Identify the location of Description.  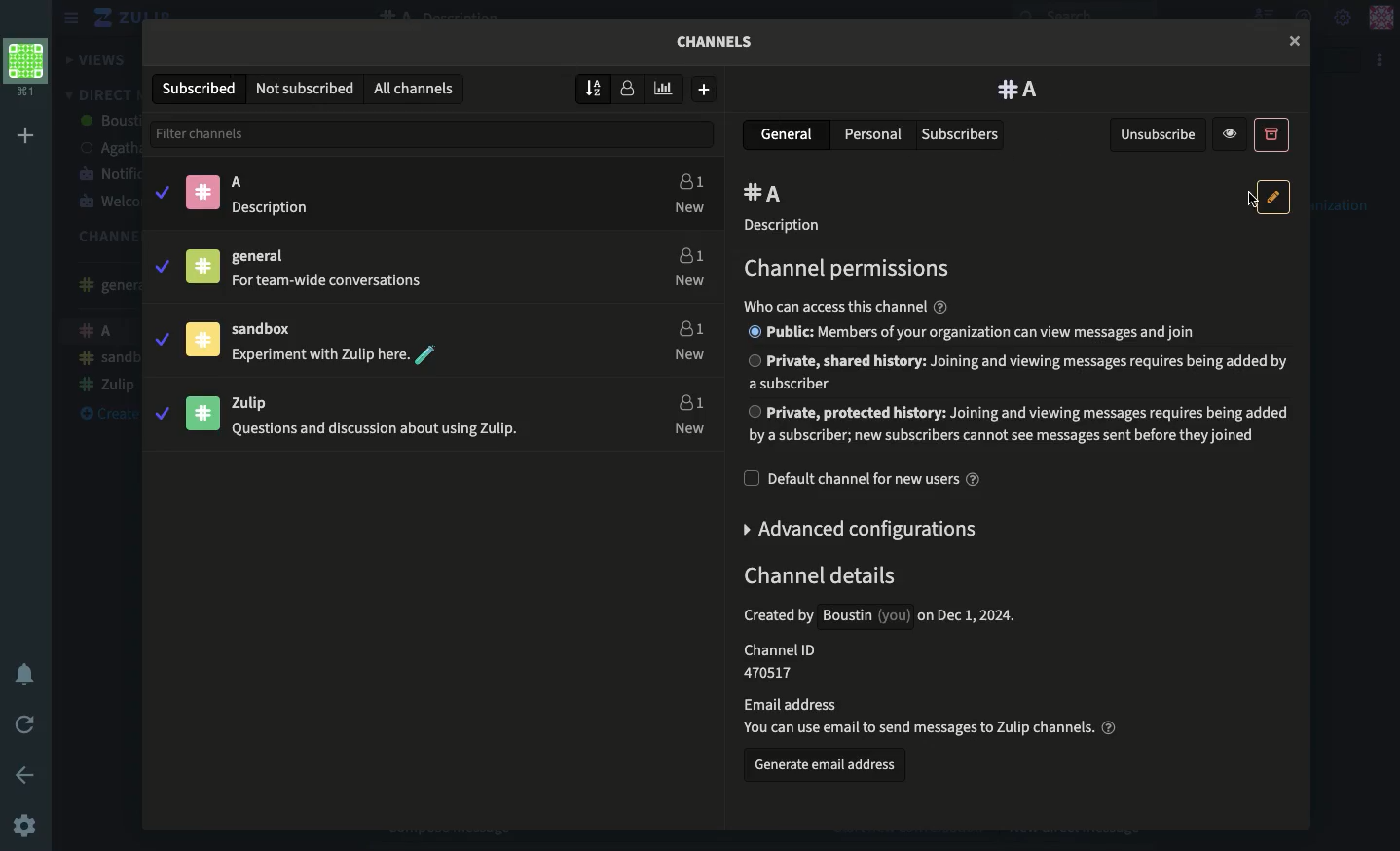
(788, 227).